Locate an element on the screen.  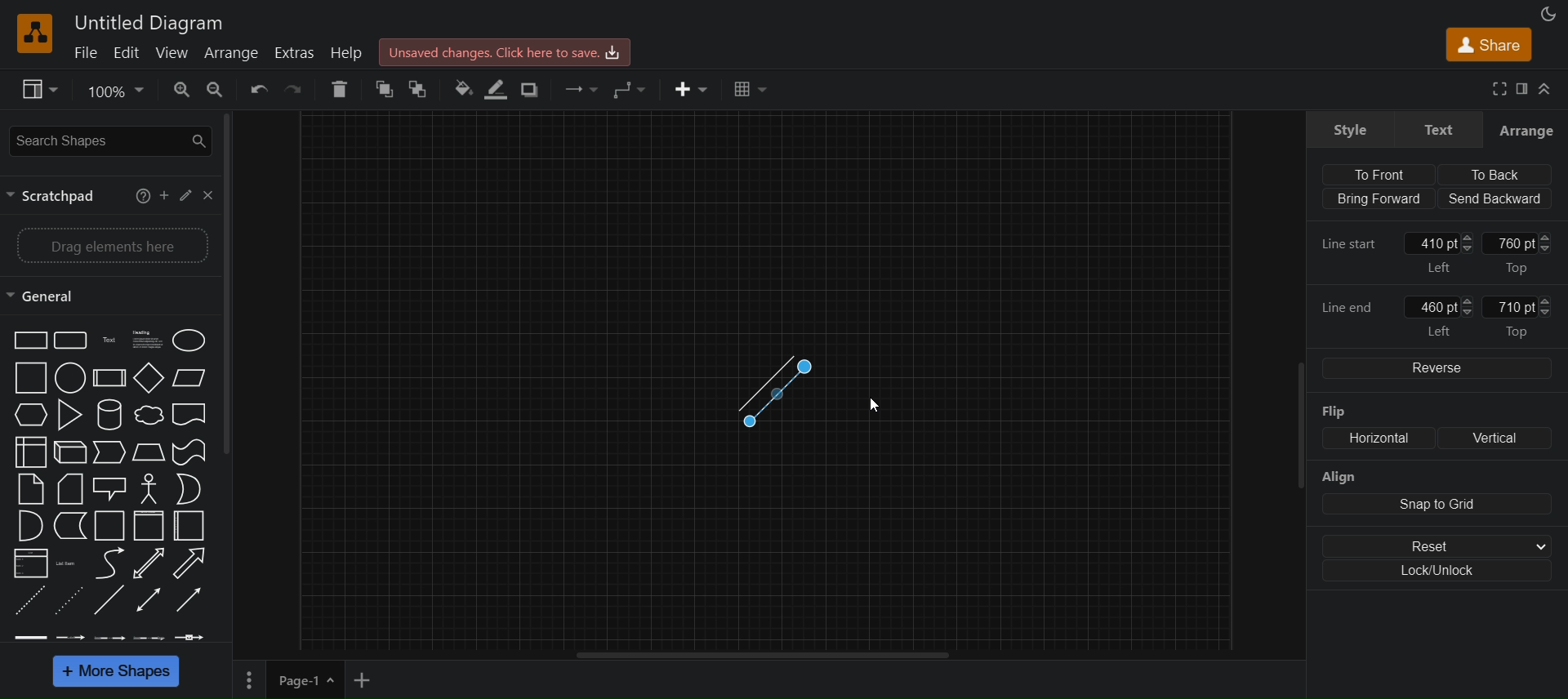
format is located at coordinates (1522, 89).